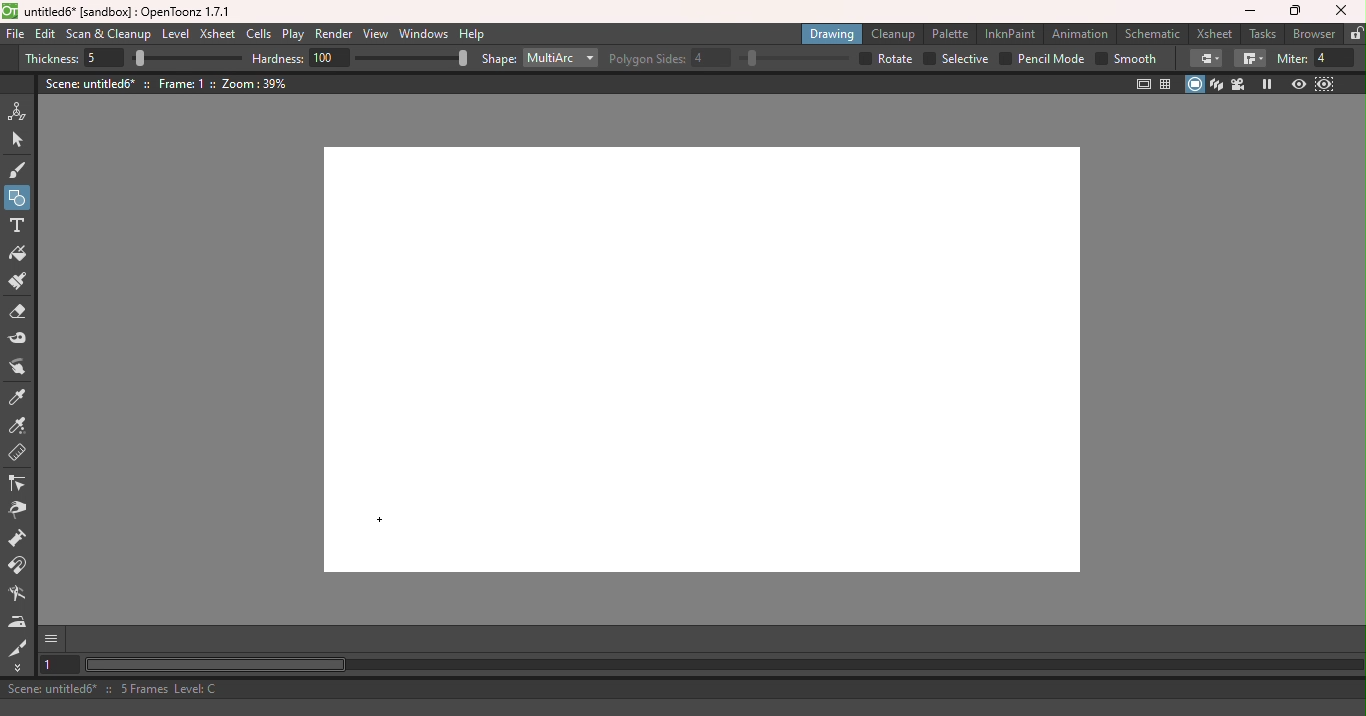 This screenshot has height=716, width=1366. Describe the element at coordinates (671, 56) in the screenshot. I see `Polygon sides` at that location.